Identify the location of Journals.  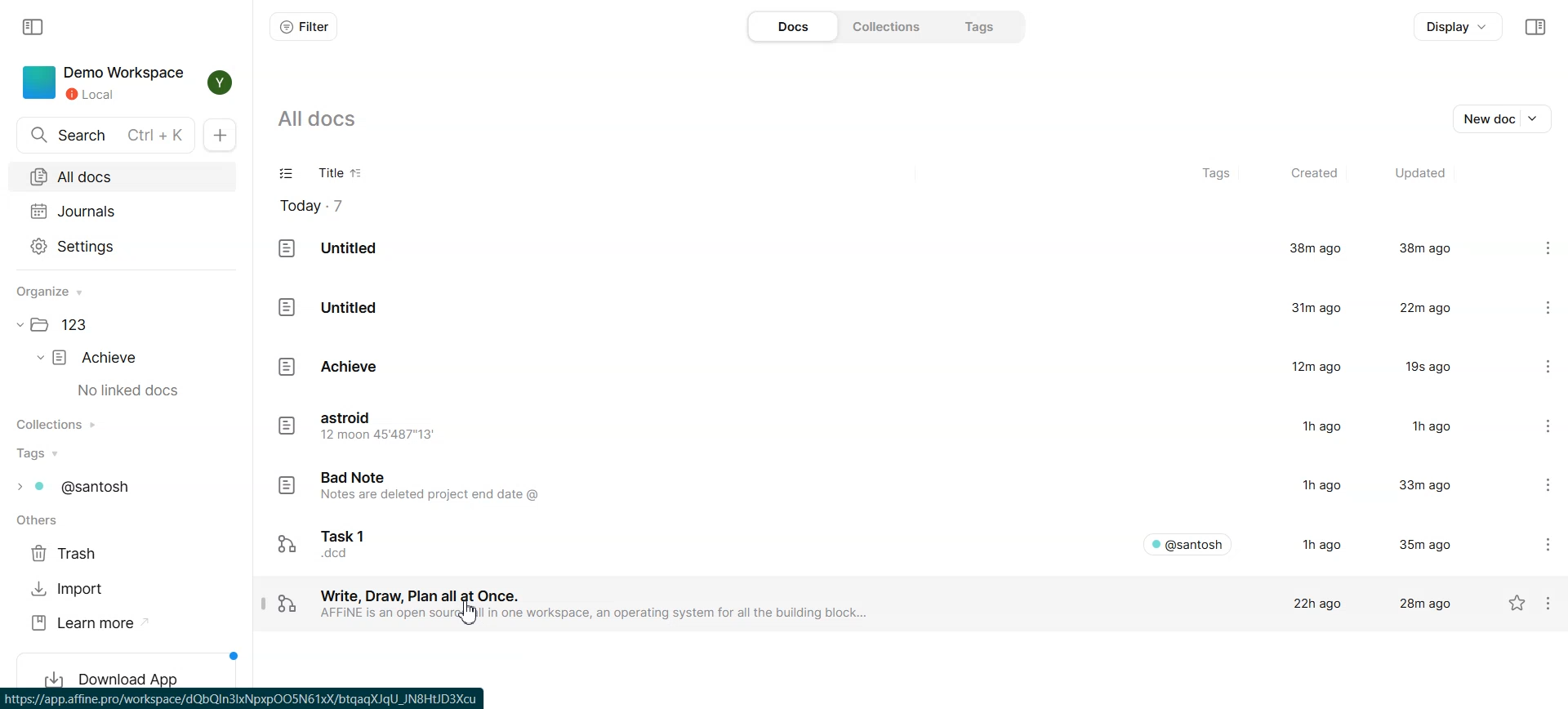
(122, 211).